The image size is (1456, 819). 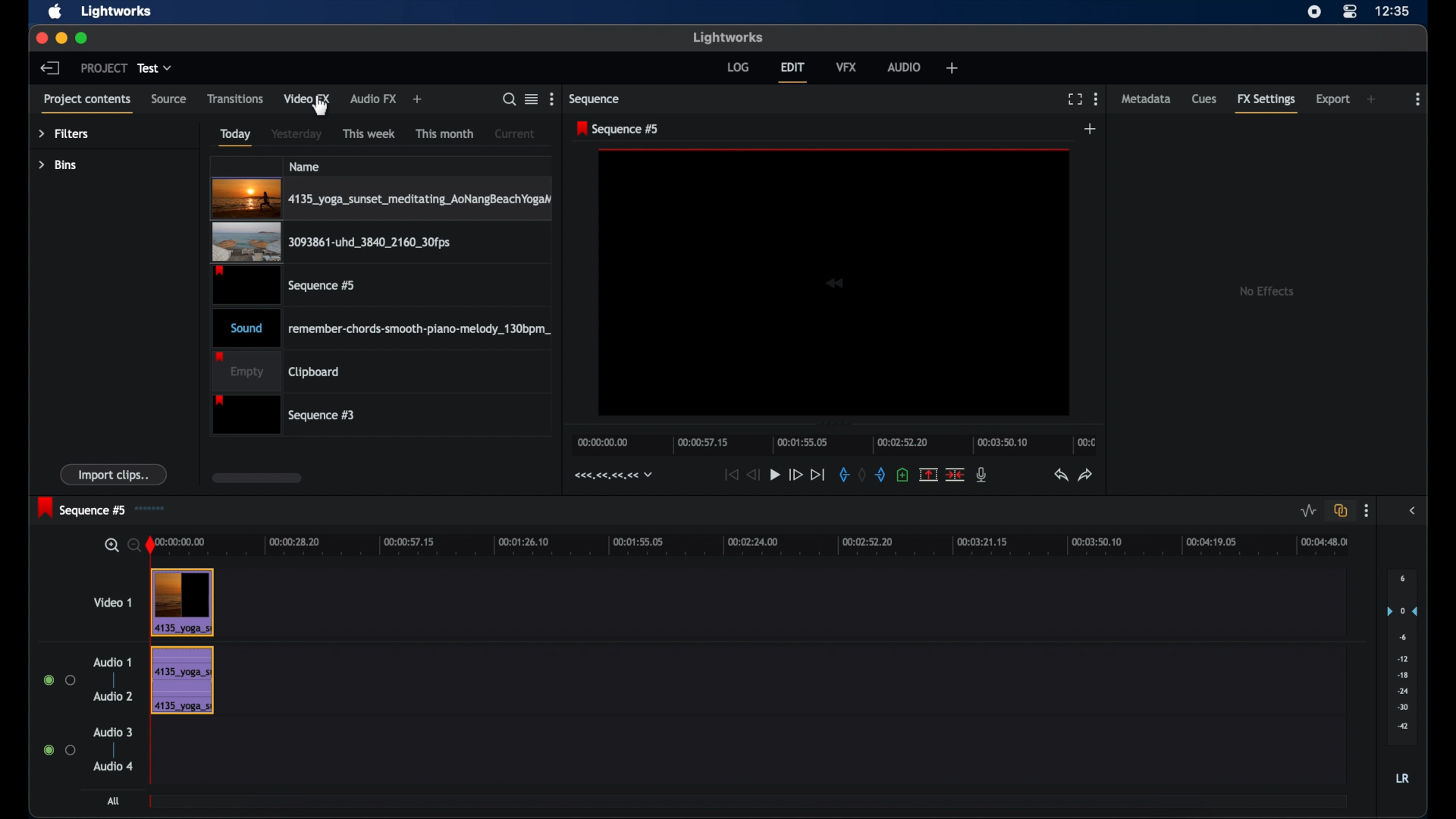 I want to click on current, so click(x=514, y=133).